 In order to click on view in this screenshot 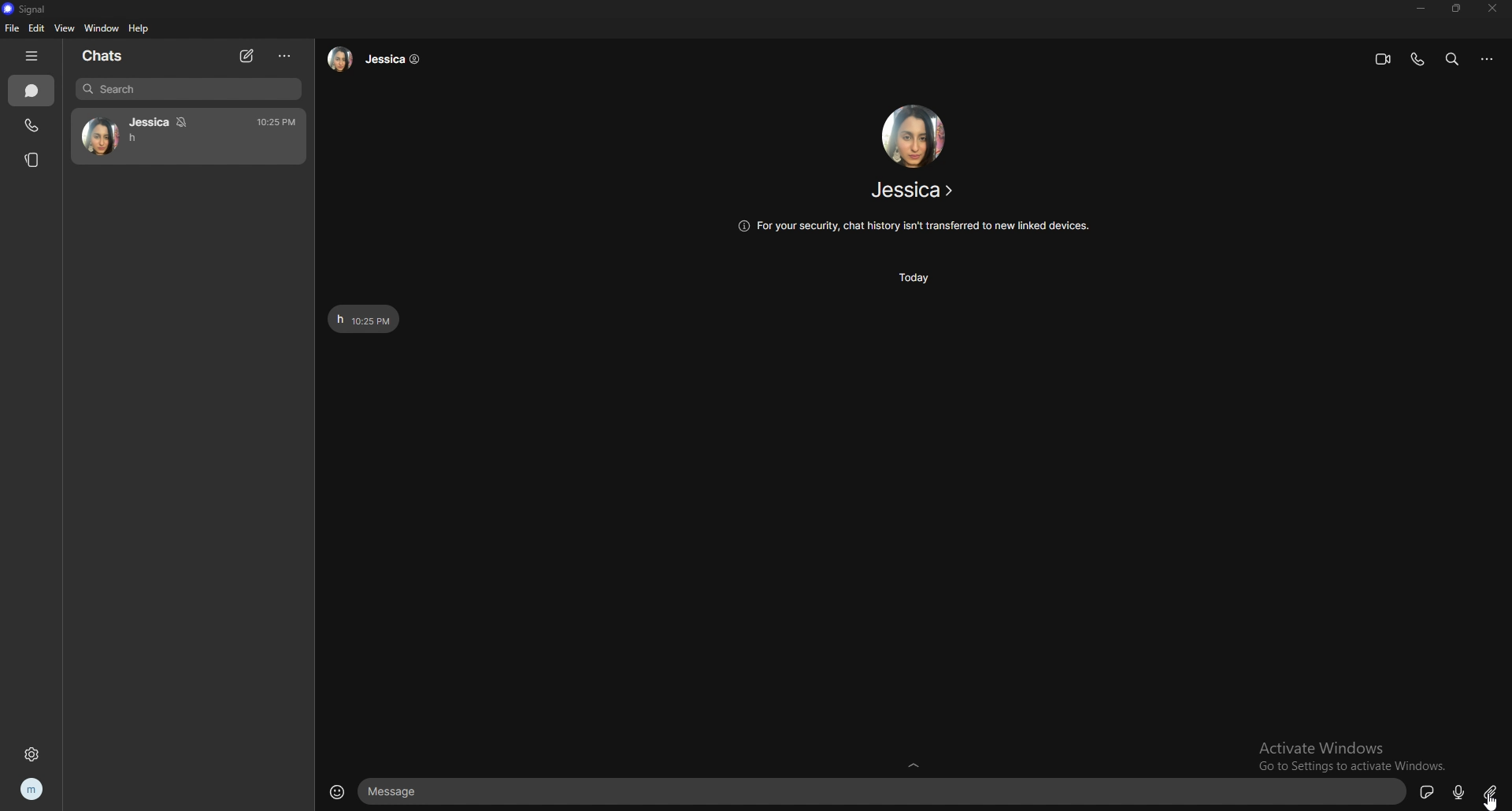, I will do `click(63, 28)`.